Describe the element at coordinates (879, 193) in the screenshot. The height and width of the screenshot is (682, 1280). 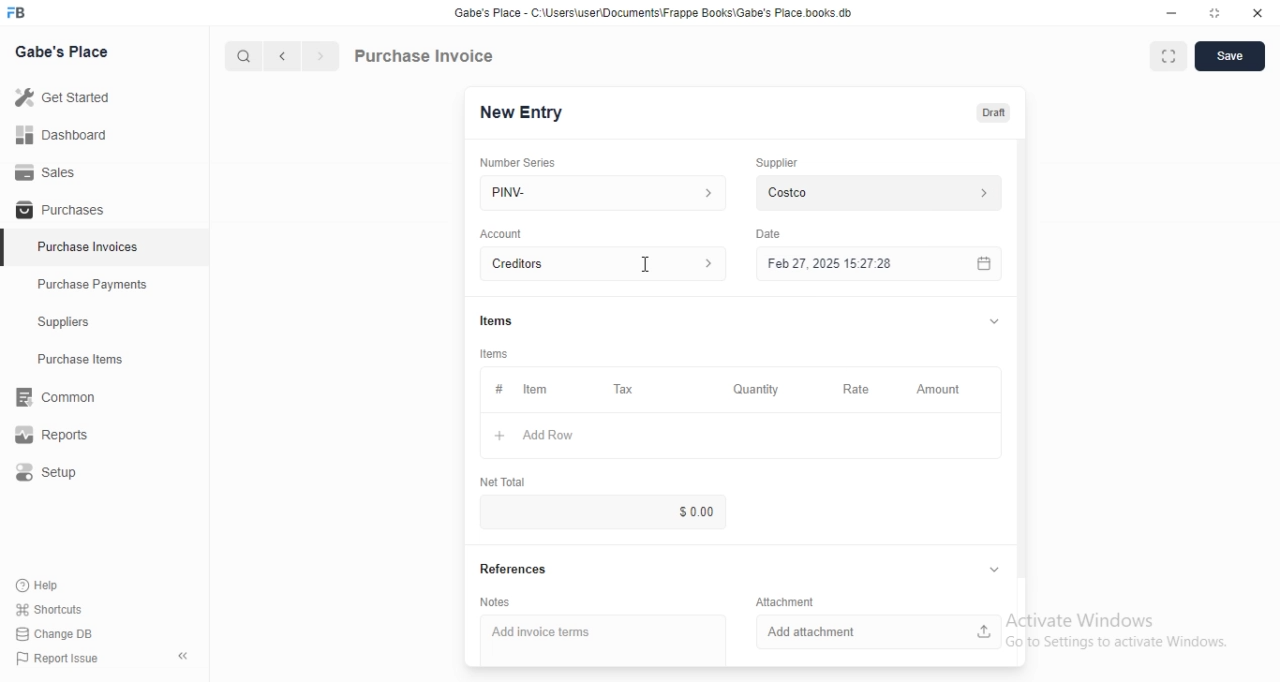
I see `Costco` at that location.